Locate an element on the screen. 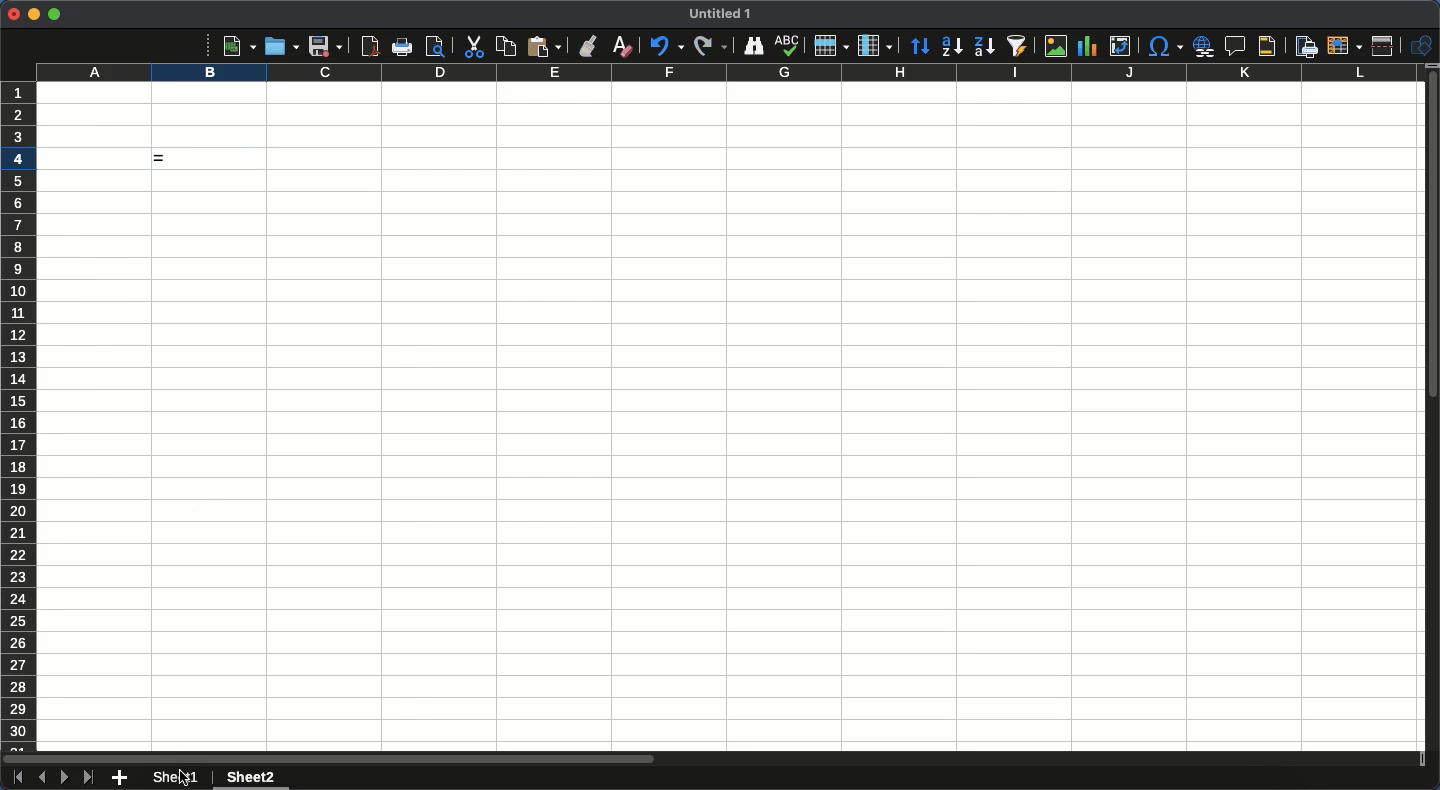 The image size is (1440, 790). Add new sheet is located at coordinates (120, 779).